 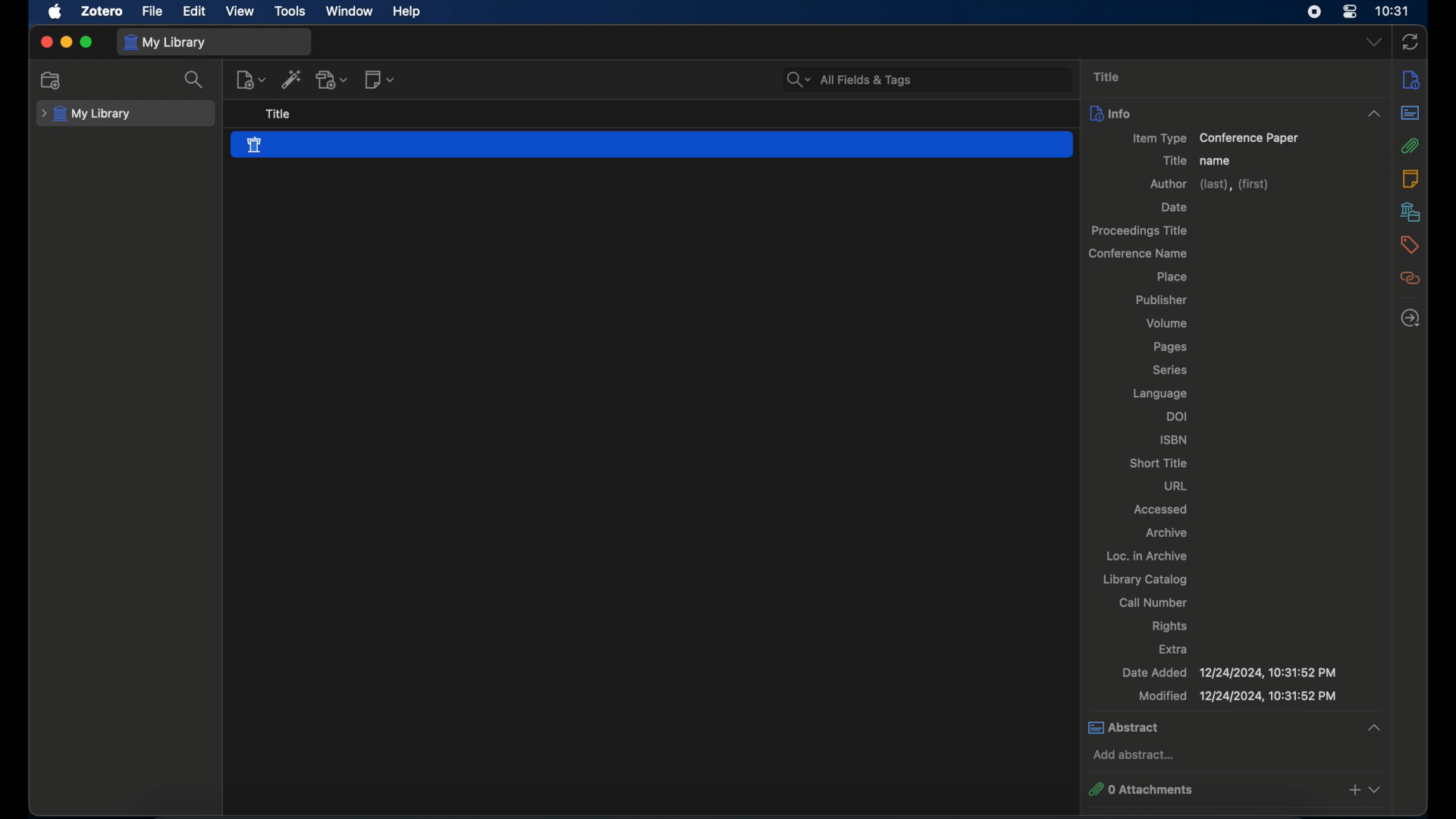 What do you see at coordinates (1178, 416) in the screenshot?
I see `doi` at bounding box center [1178, 416].